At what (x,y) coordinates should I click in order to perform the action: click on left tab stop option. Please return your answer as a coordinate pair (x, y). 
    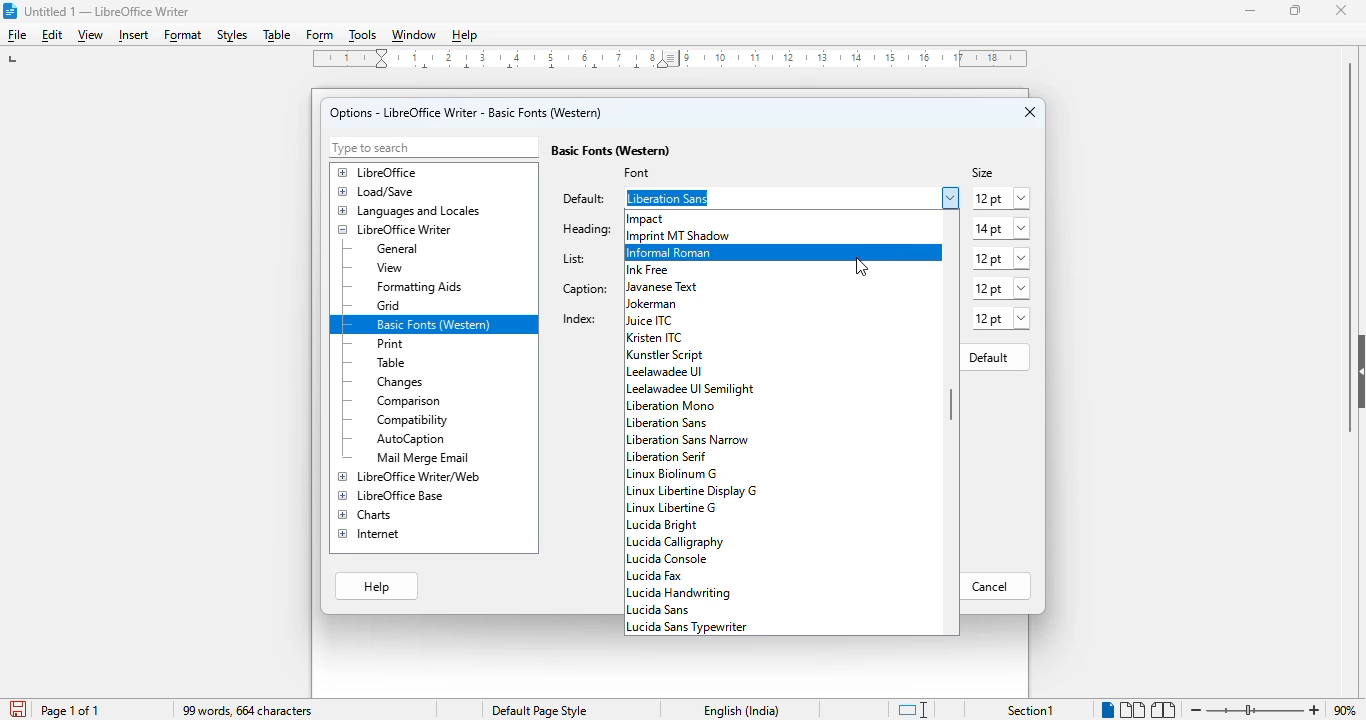
    Looking at the image, I should click on (16, 59).